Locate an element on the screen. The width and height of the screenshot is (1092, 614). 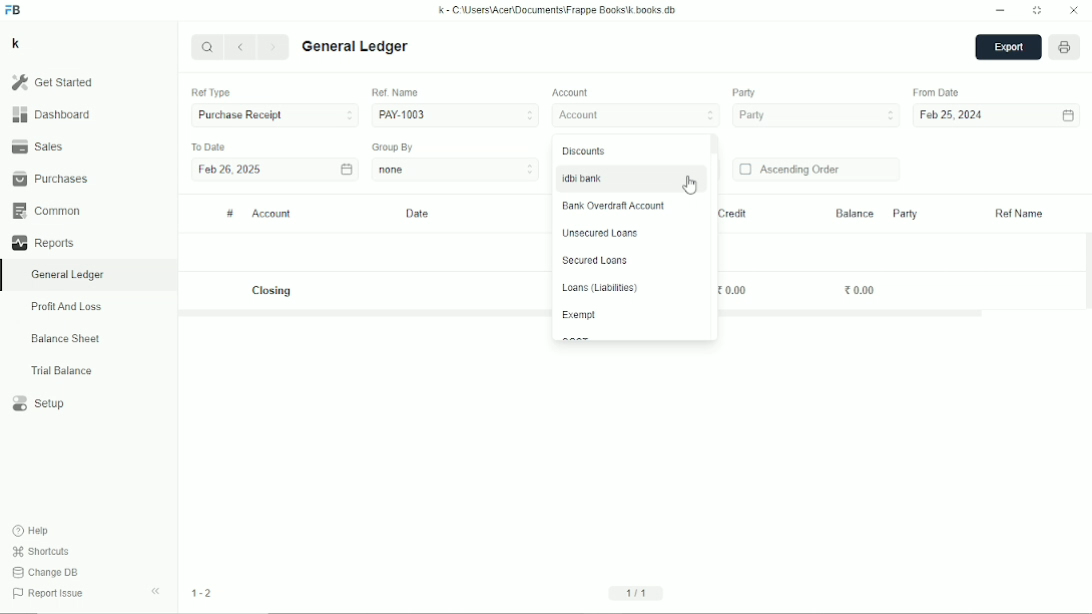
1/1 is located at coordinates (639, 592).